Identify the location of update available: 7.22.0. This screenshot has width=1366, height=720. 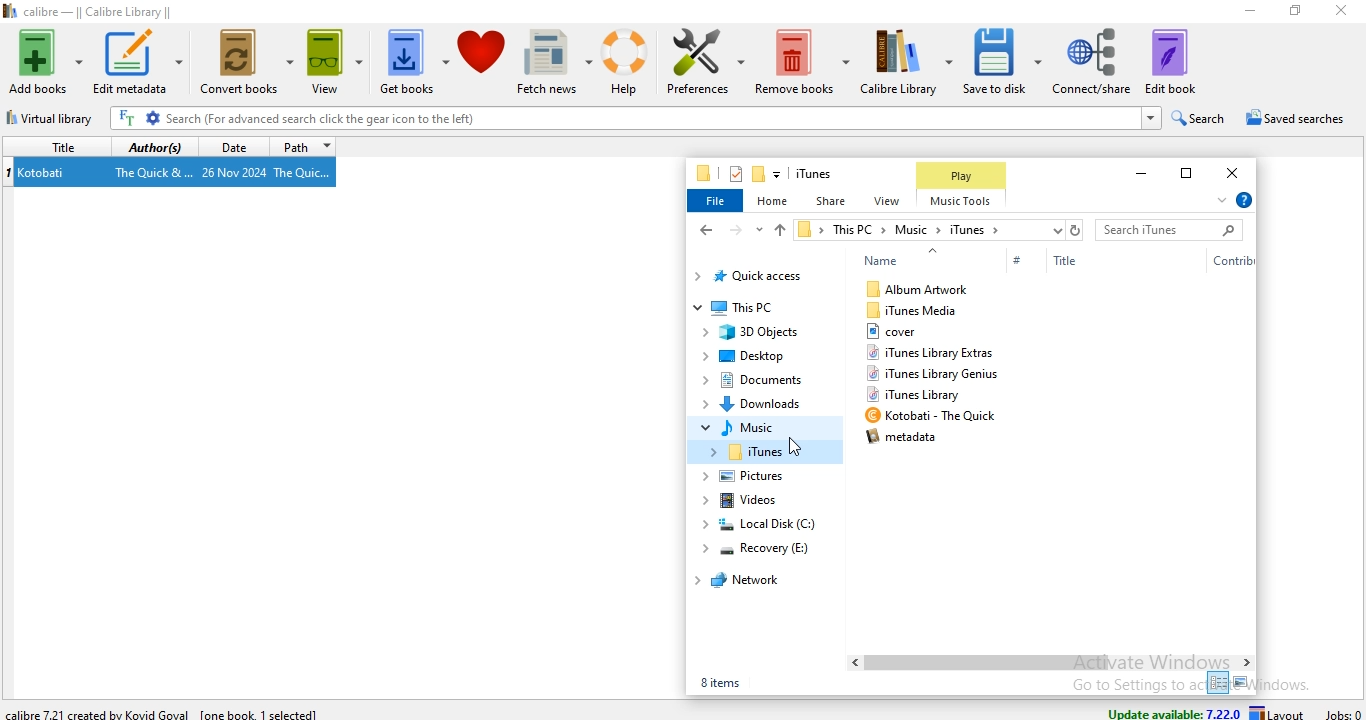
(1172, 710).